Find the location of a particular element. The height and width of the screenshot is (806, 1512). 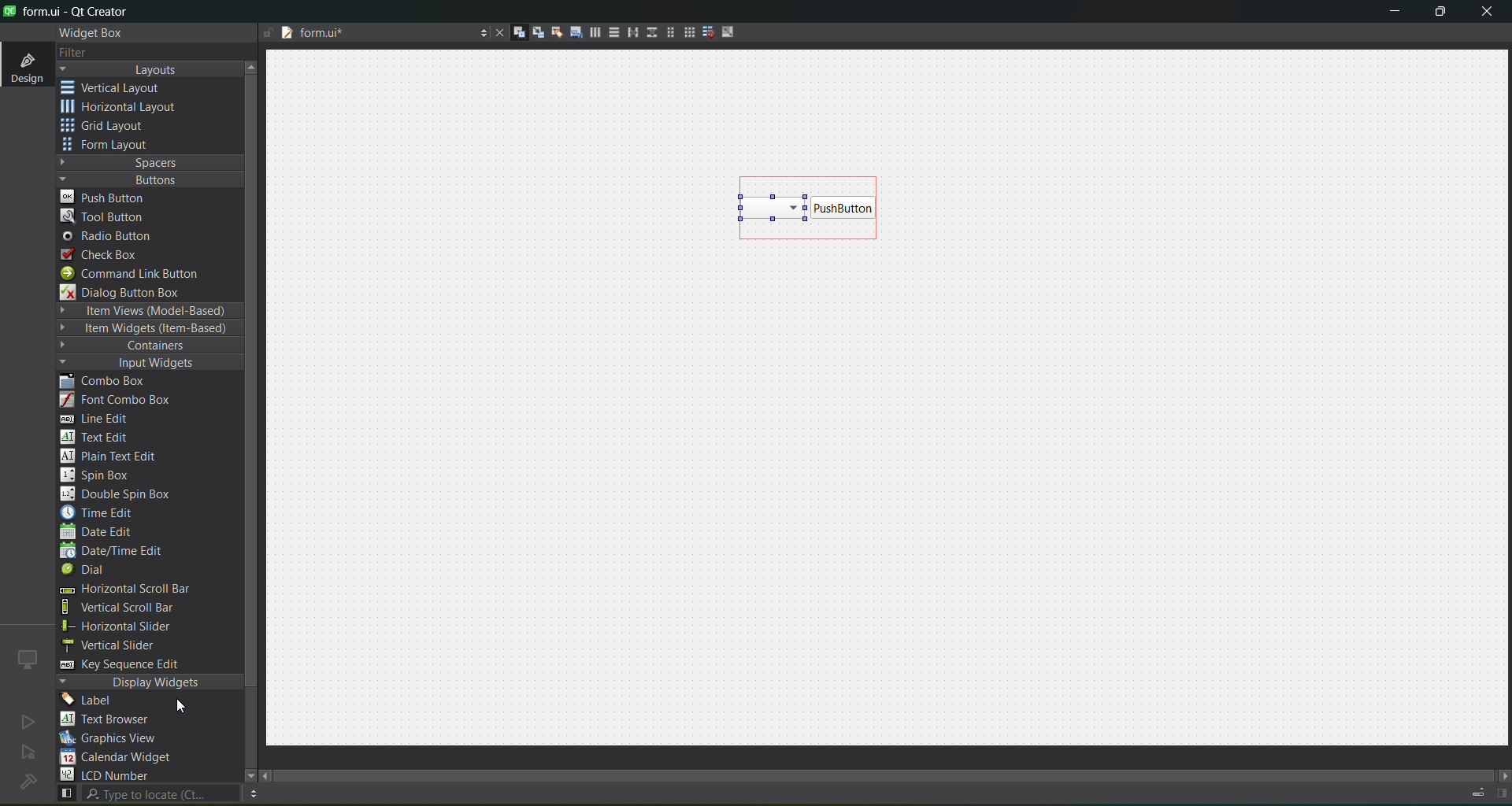

spin box is located at coordinates (103, 475).